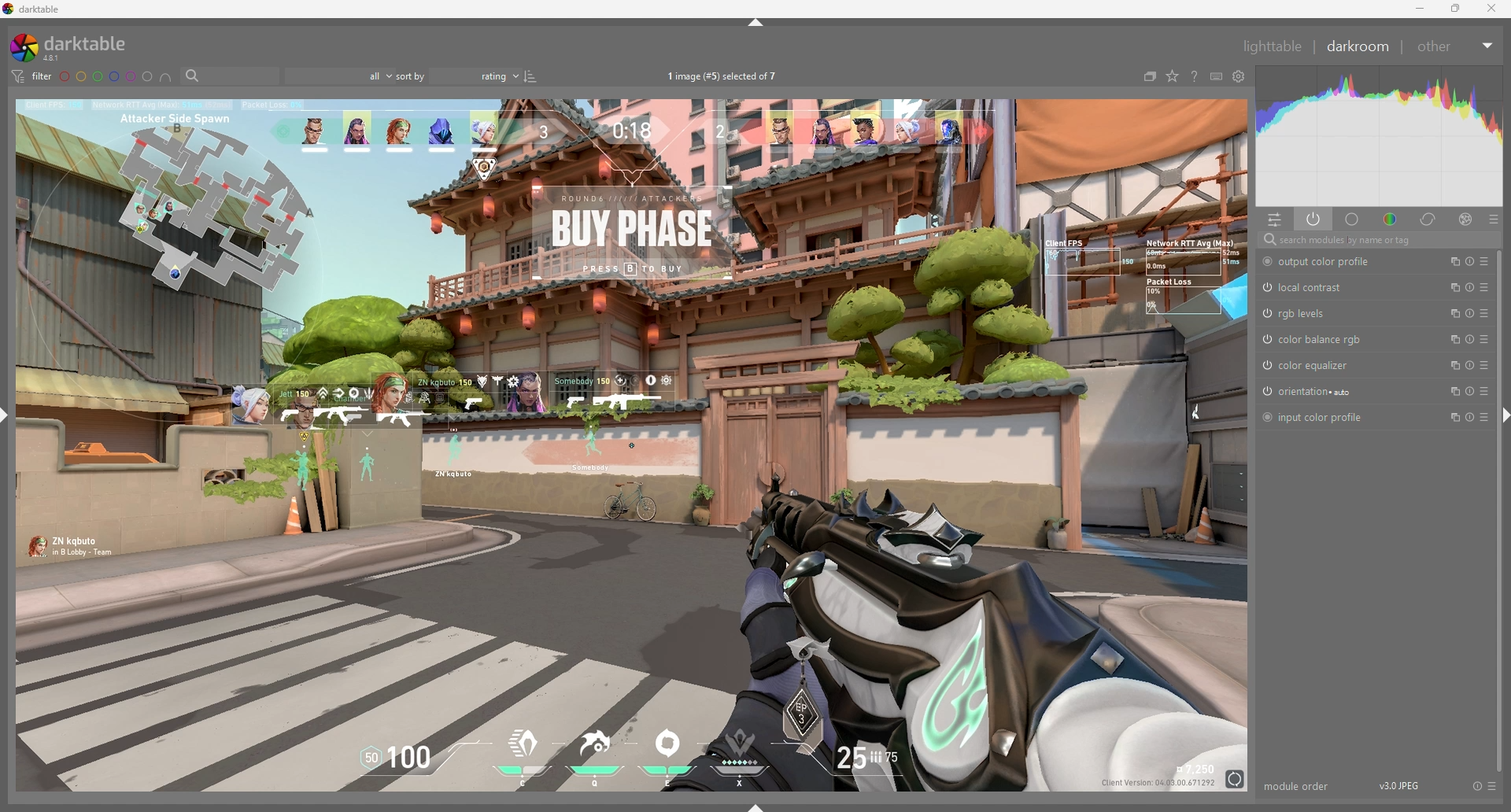  I want to click on lighttable, so click(1274, 46).